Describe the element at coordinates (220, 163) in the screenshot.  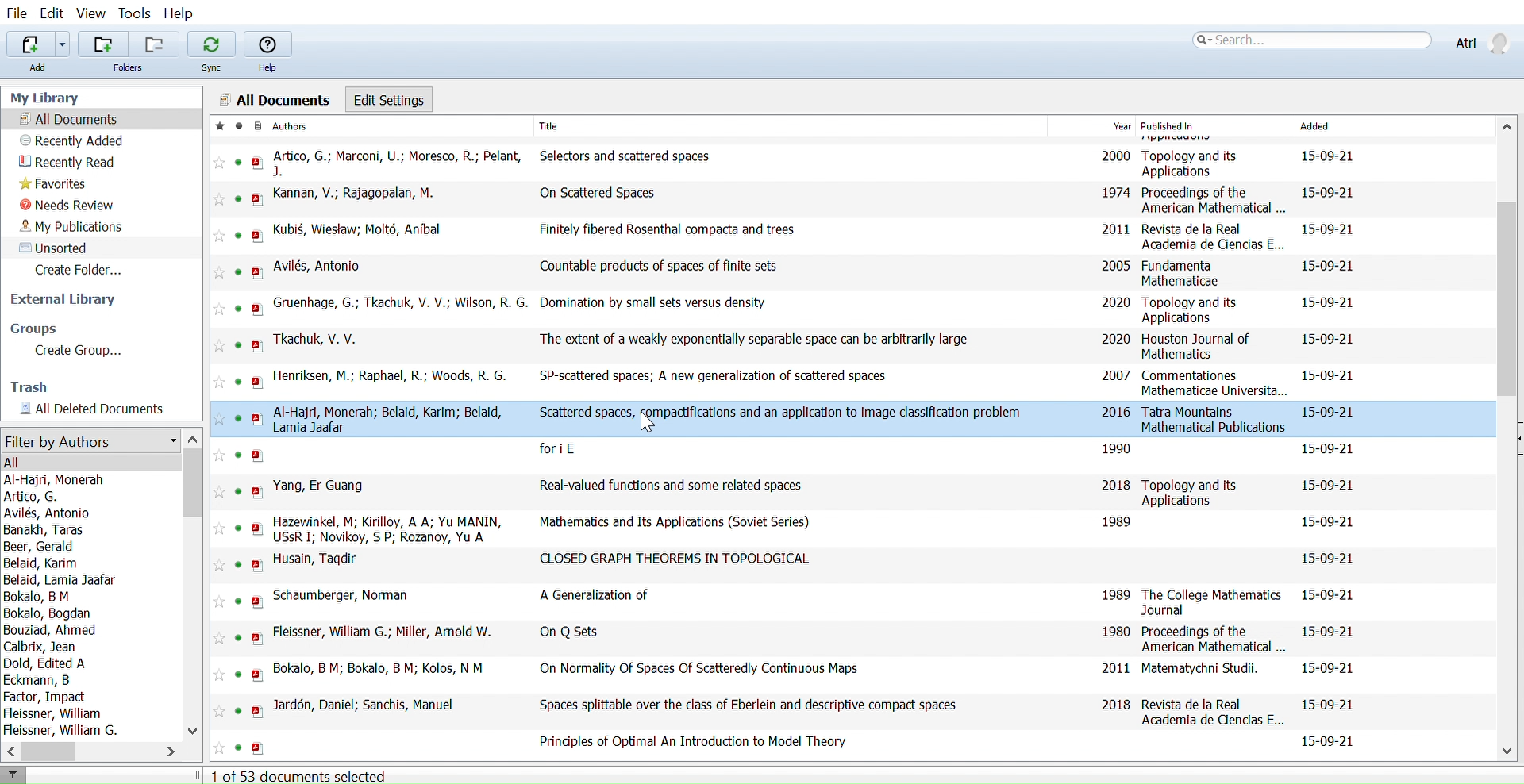
I see `Favourite` at that location.